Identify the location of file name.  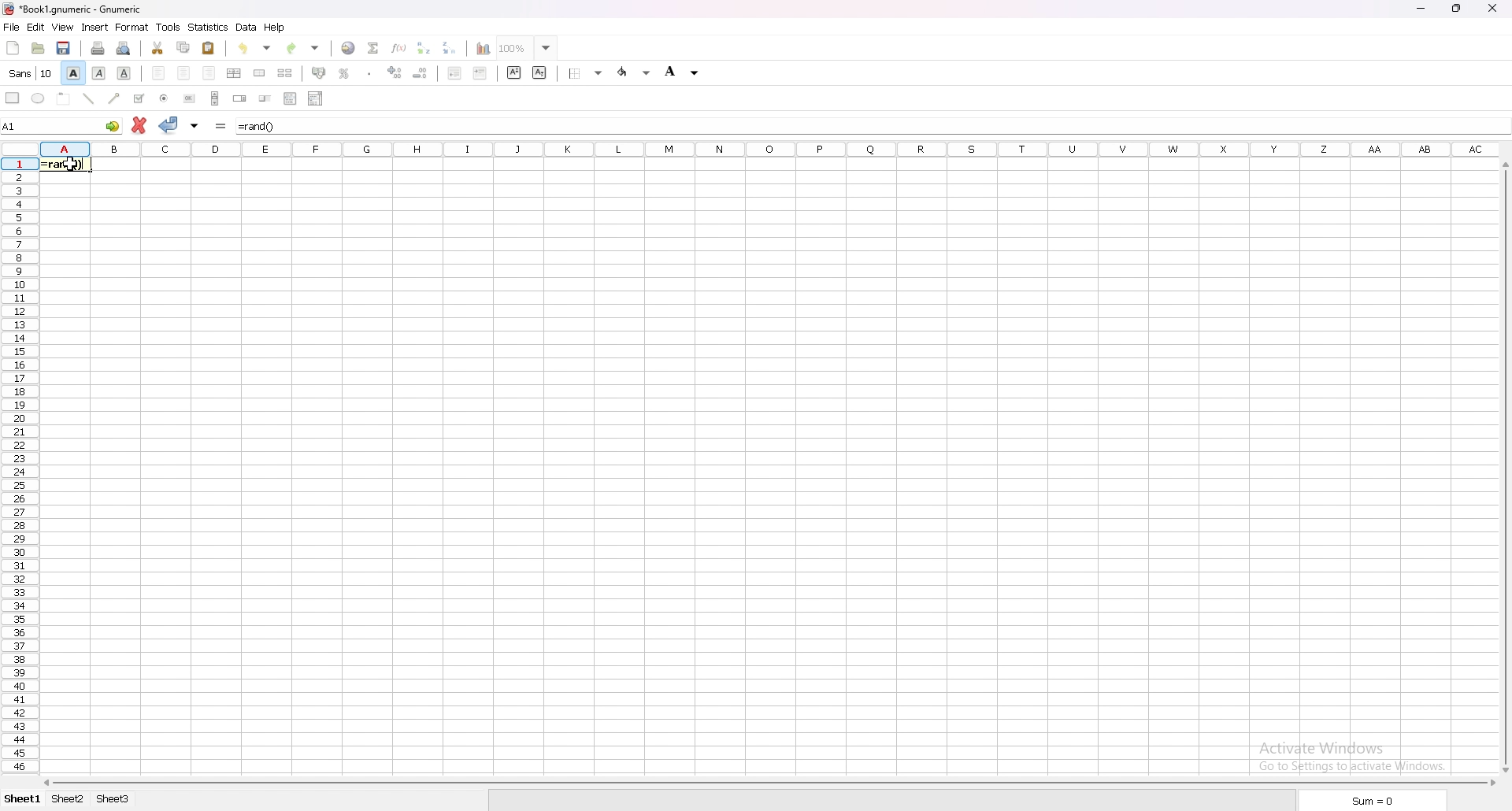
(72, 9).